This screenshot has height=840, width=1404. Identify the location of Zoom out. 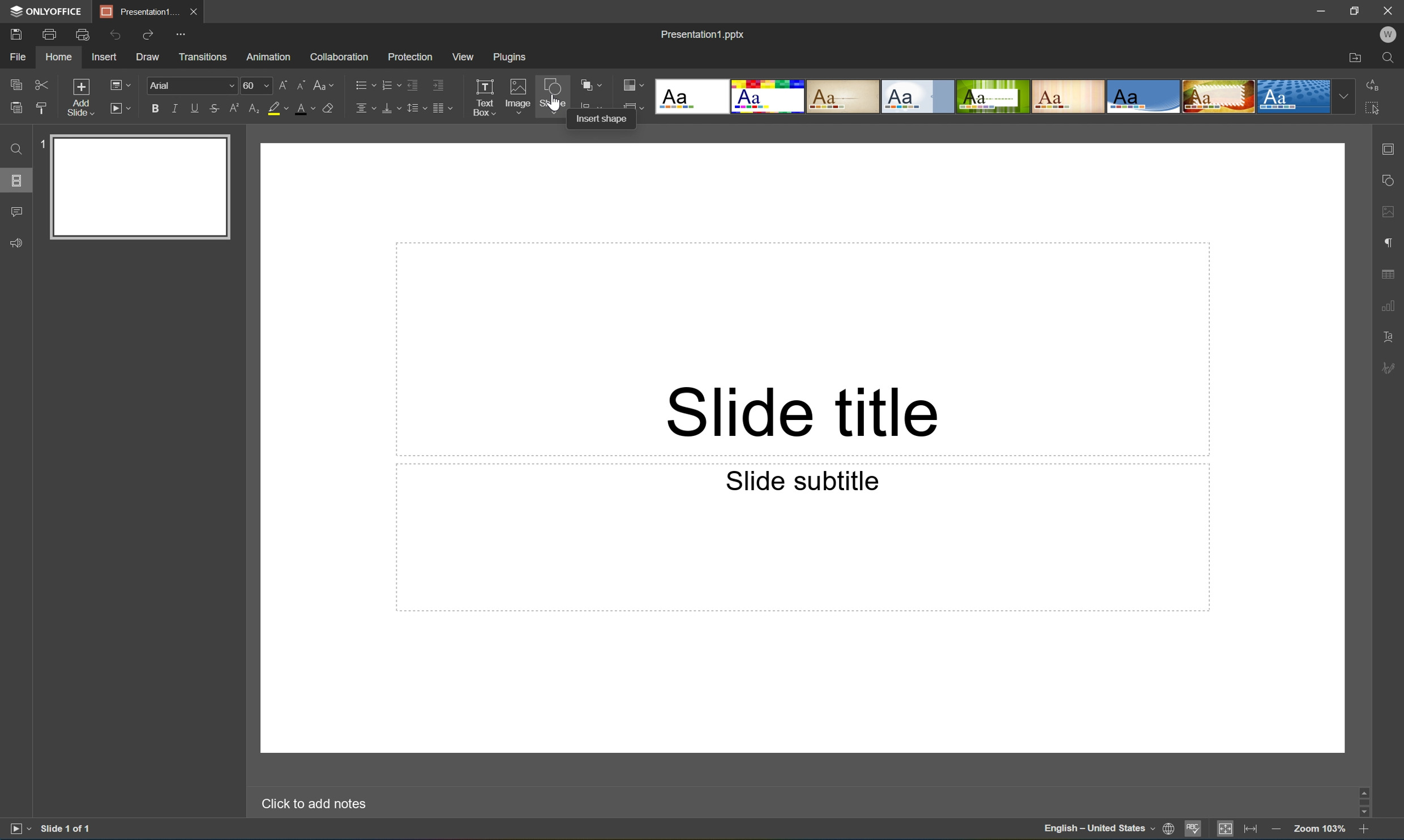
(1275, 829).